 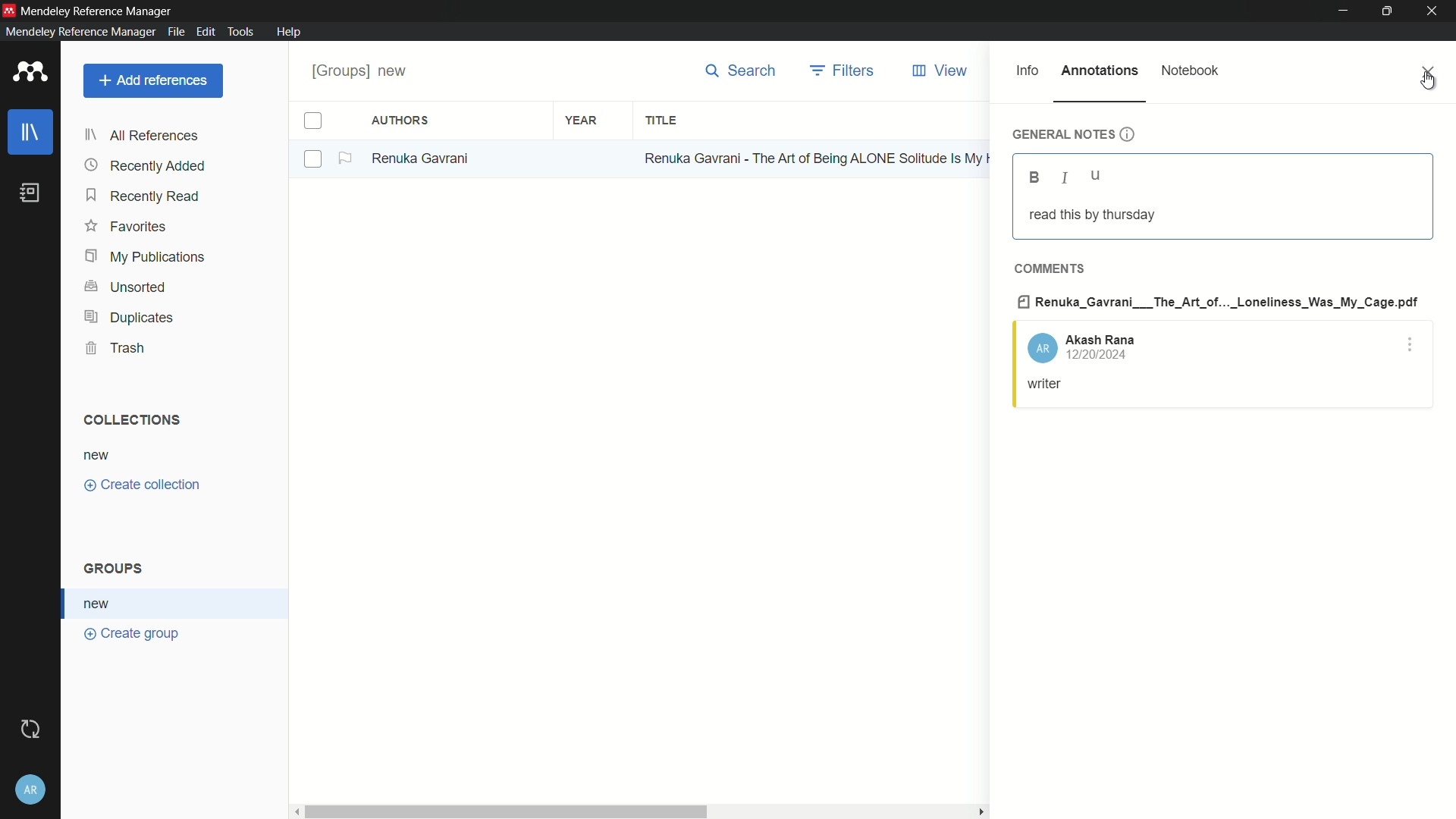 What do you see at coordinates (30, 193) in the screenshot?
I see `book` at bounding box center [30, 193].